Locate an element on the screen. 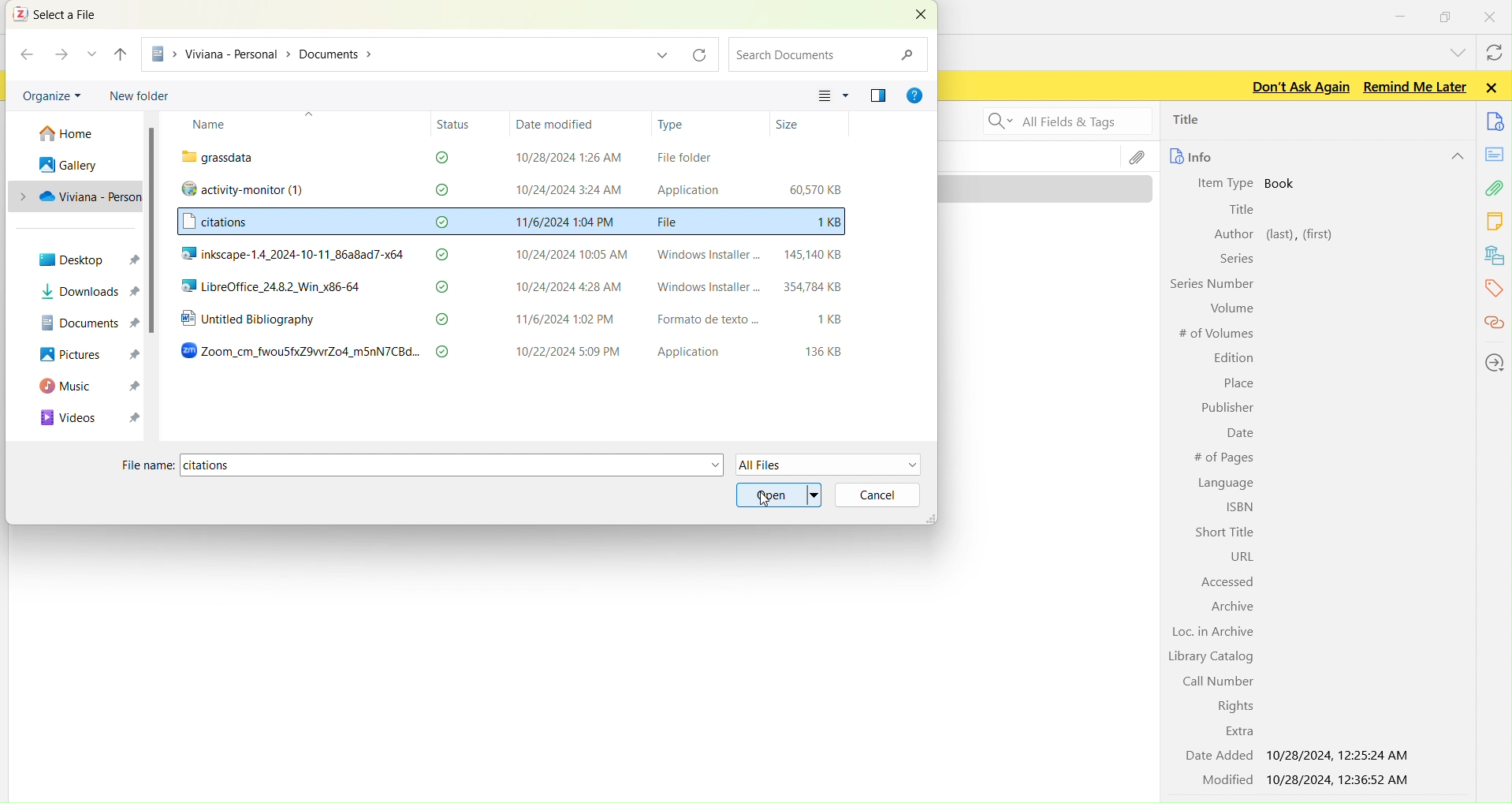 Image resolution: width=1512 pixels, height=803 pixels. 1KB is located at coordinates (819, 222).